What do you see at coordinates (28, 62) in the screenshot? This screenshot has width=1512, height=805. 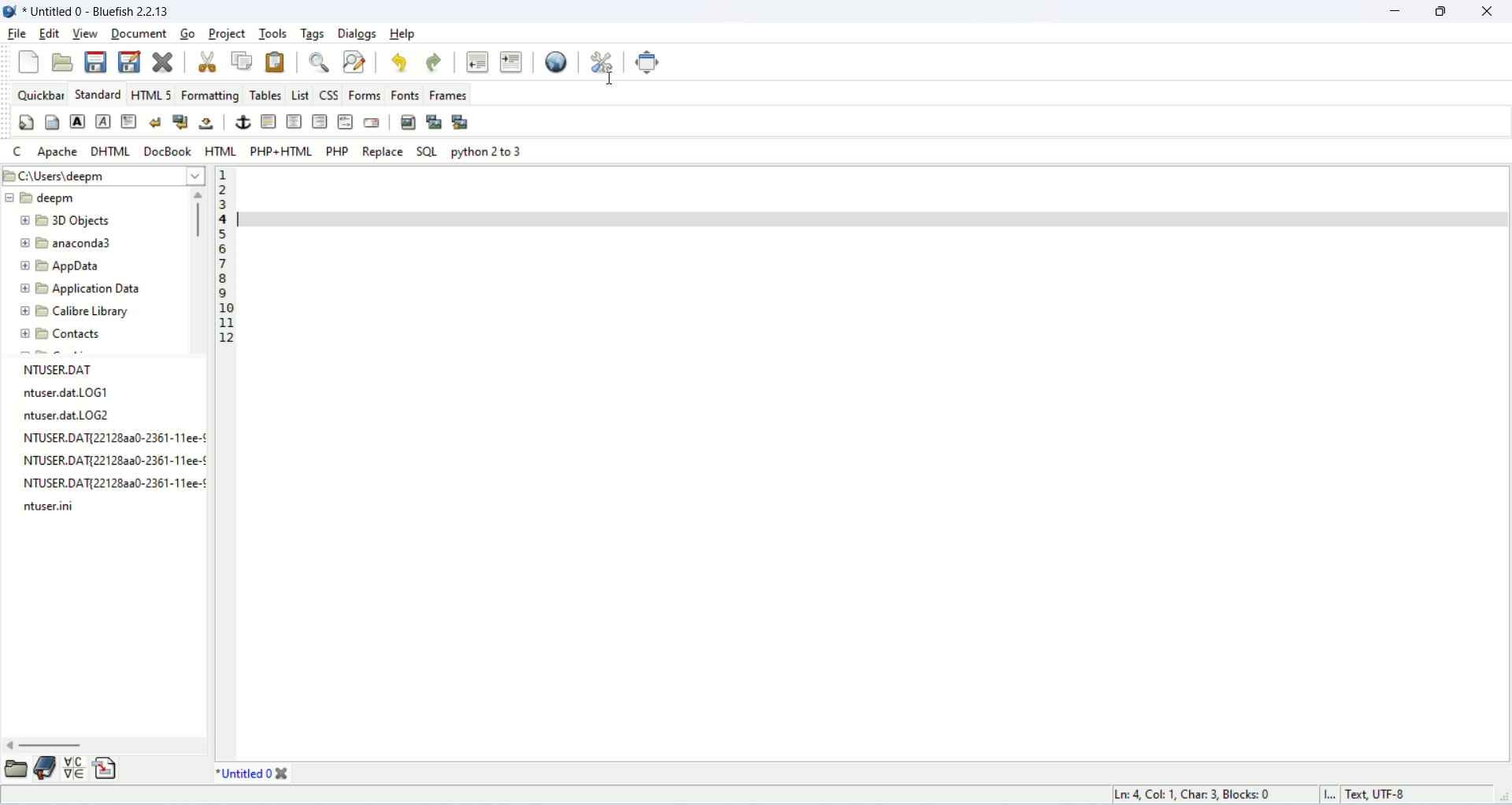 I see `new` at bounding box center [28, 62].